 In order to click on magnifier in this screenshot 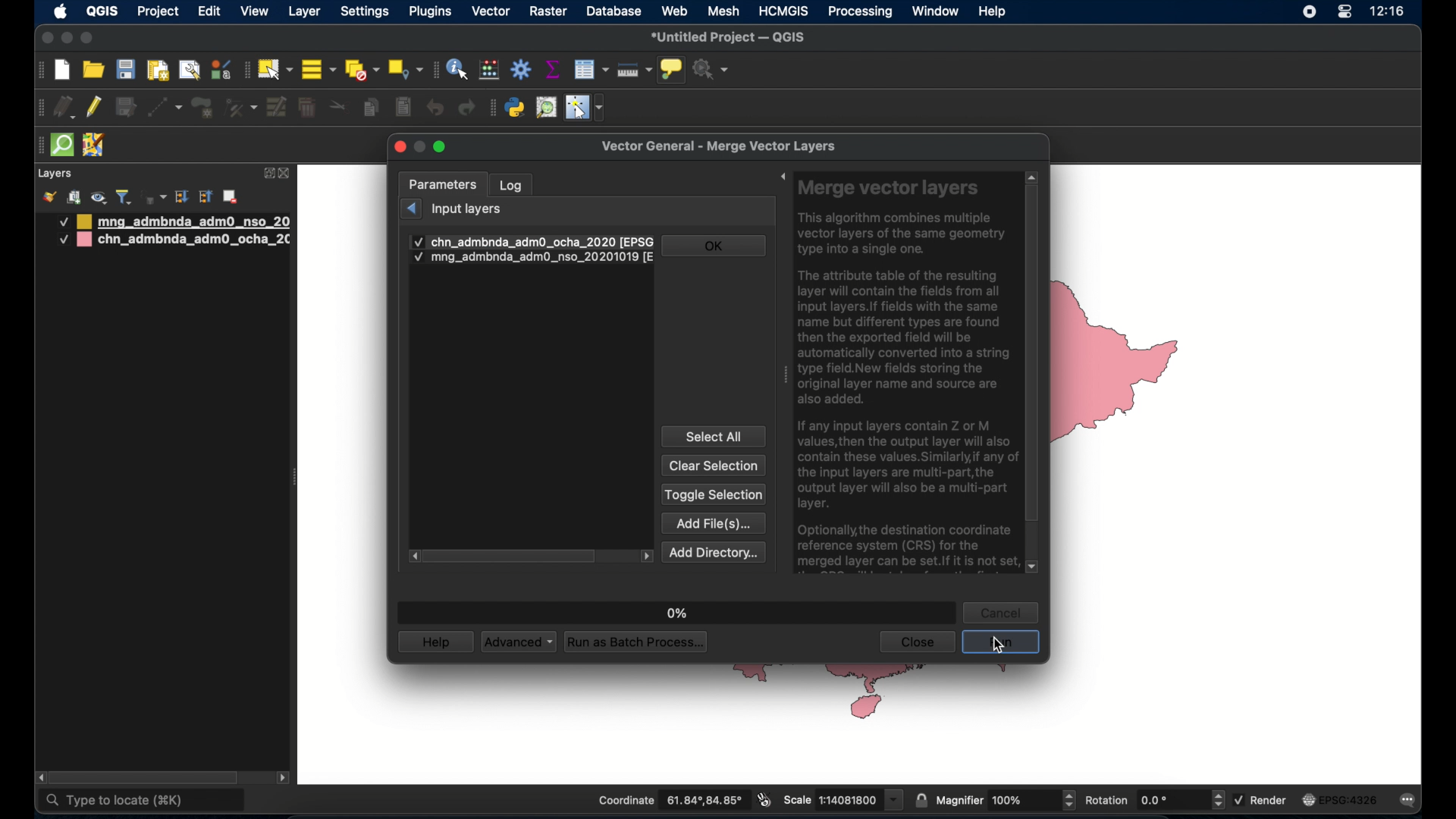, I will do `click(1006, 800)`.